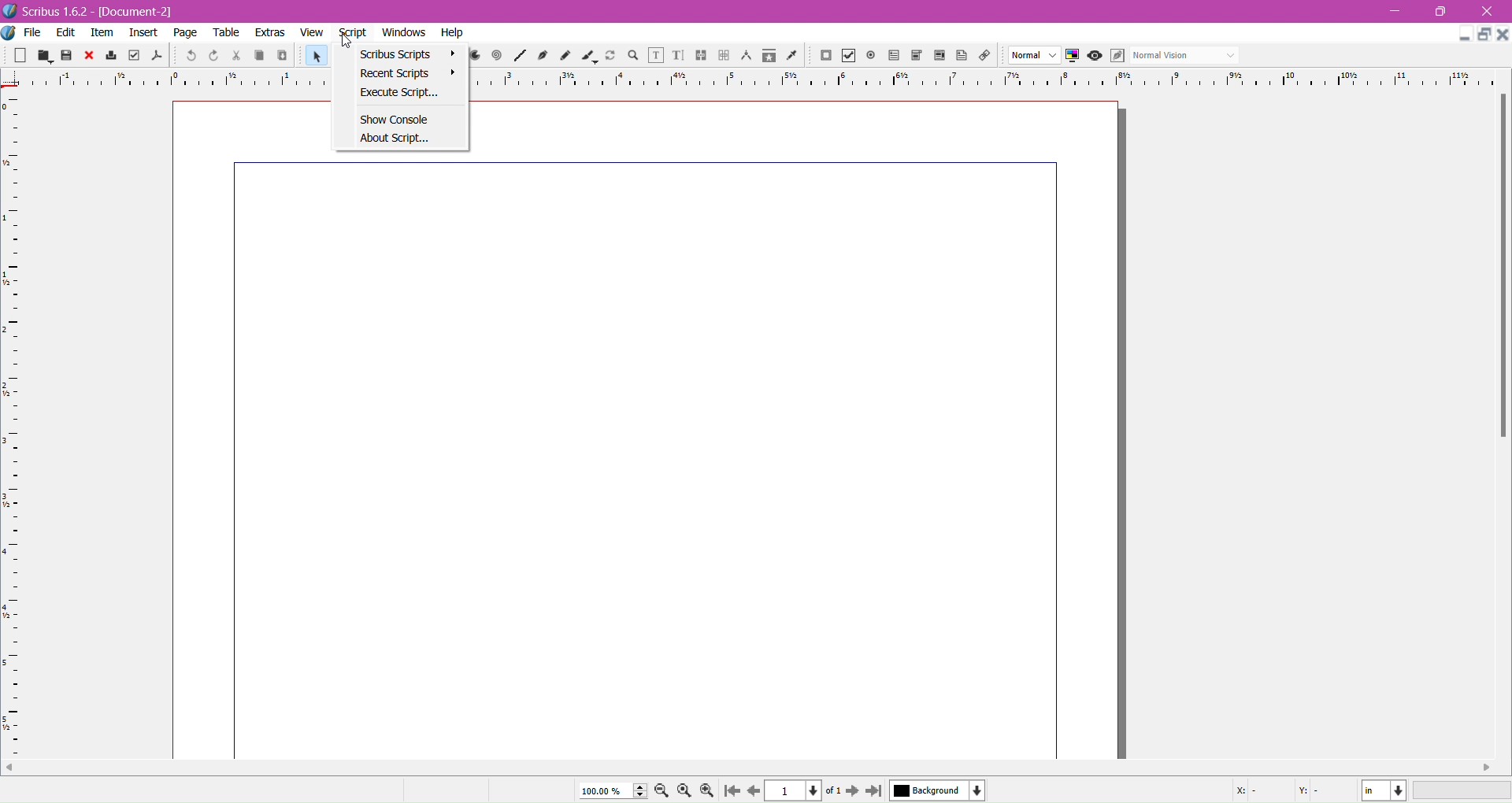 The height and width of the screenshot is (803, 1512). What do you see at coordinates (802, 791) in the screenshot?
I see `Select the current page` at bounding box center [802, 791].